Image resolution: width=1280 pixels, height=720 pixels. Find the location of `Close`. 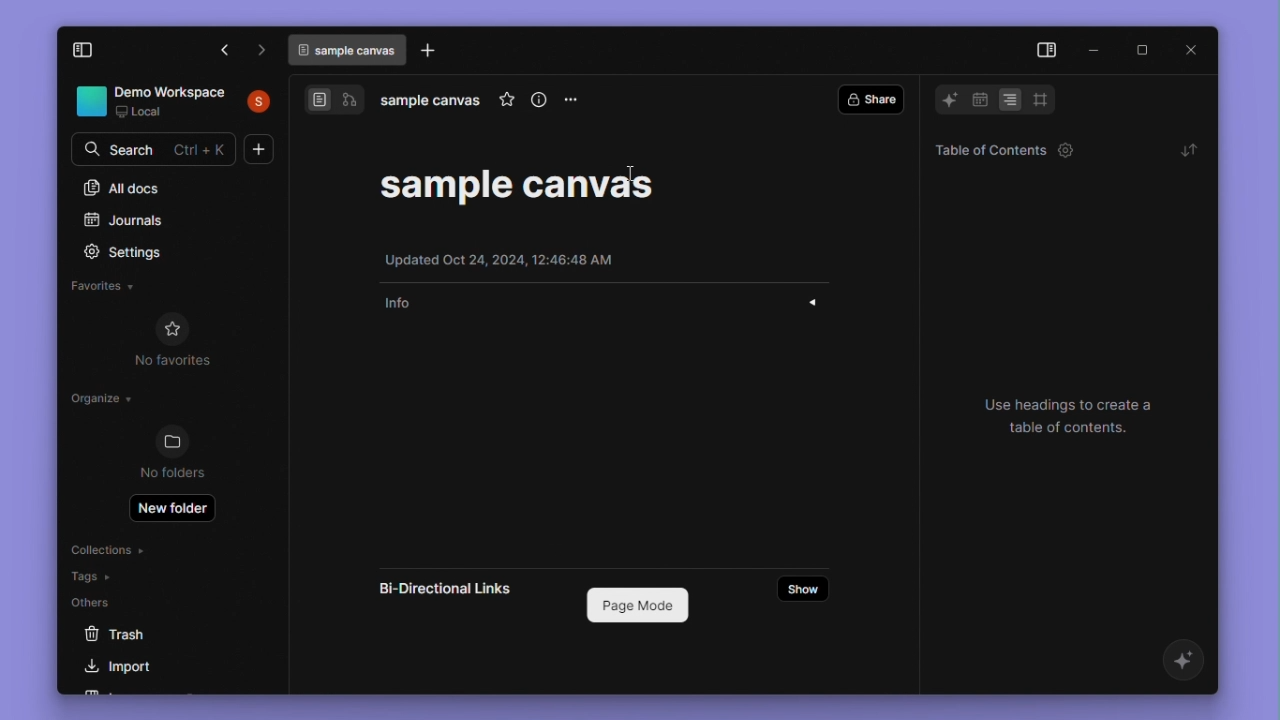

Close is located at coordinates (1194, 50).